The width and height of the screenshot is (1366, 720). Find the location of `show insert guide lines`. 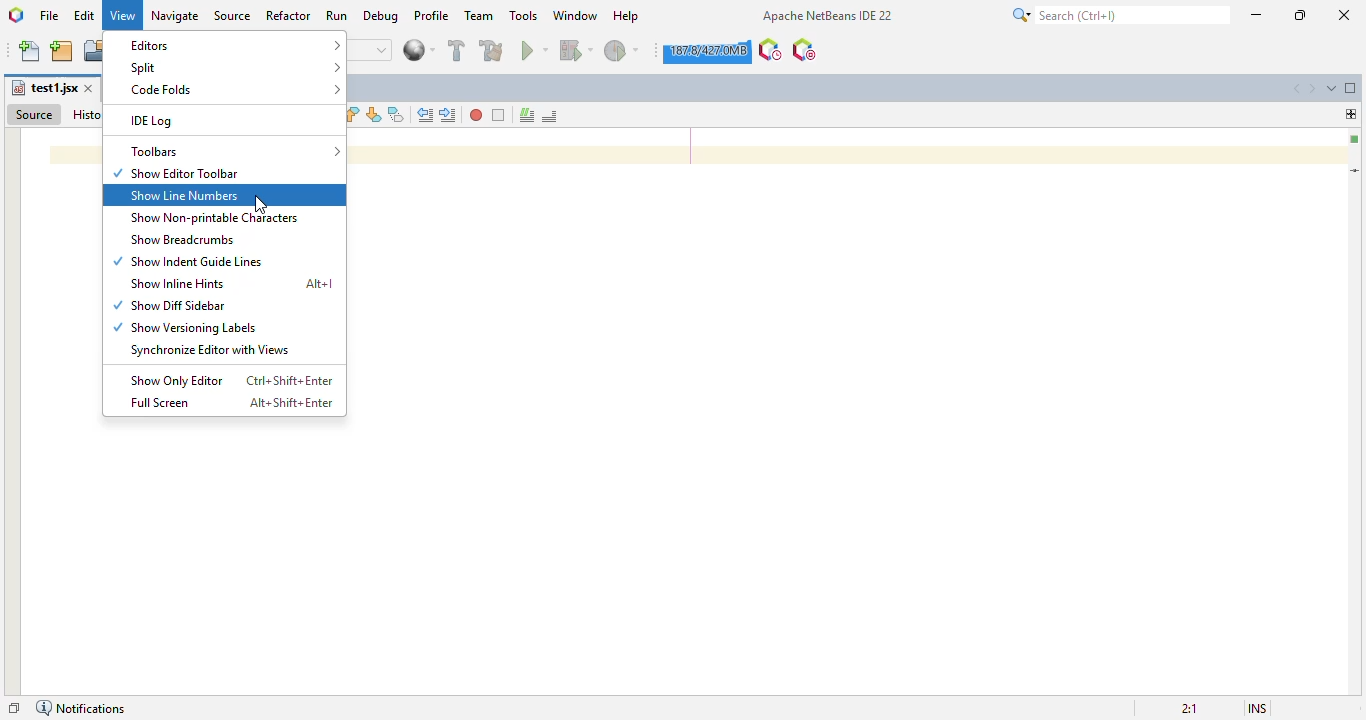

show insert guide lines is located at coordinates (188, 262).